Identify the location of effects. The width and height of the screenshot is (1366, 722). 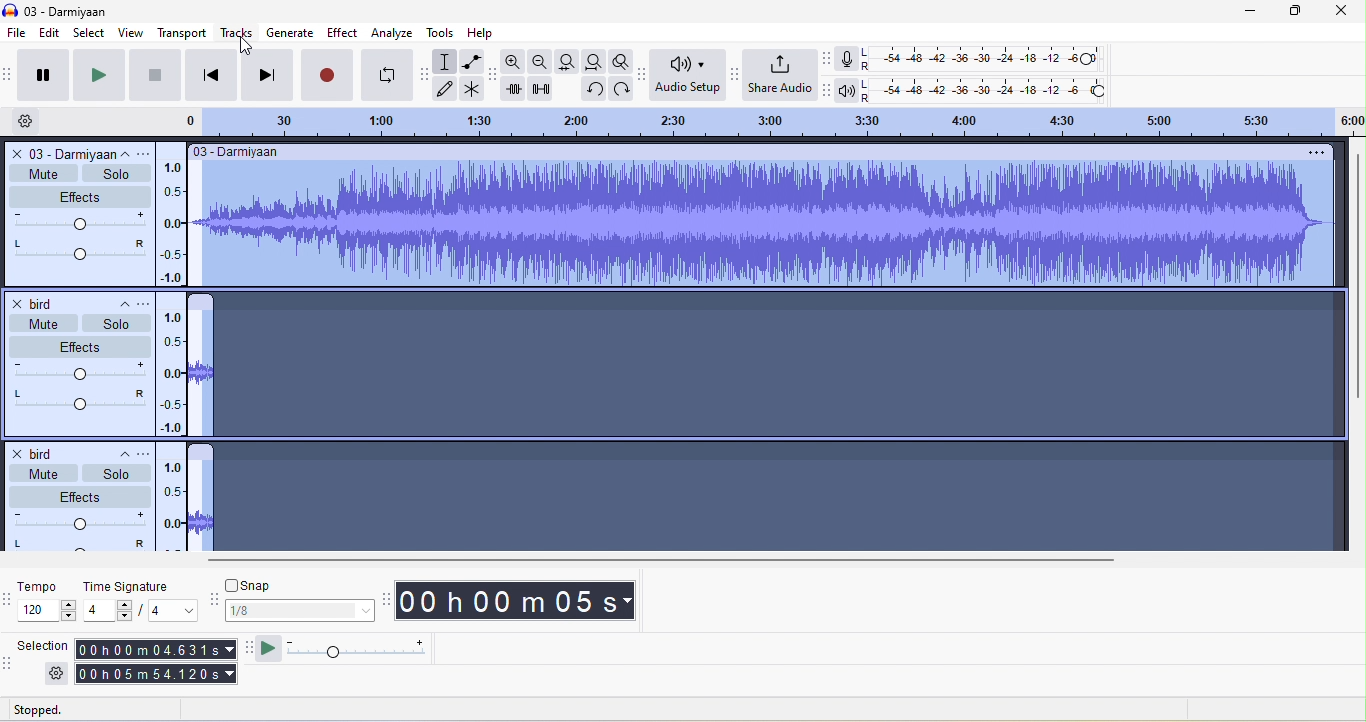
(81, 496).